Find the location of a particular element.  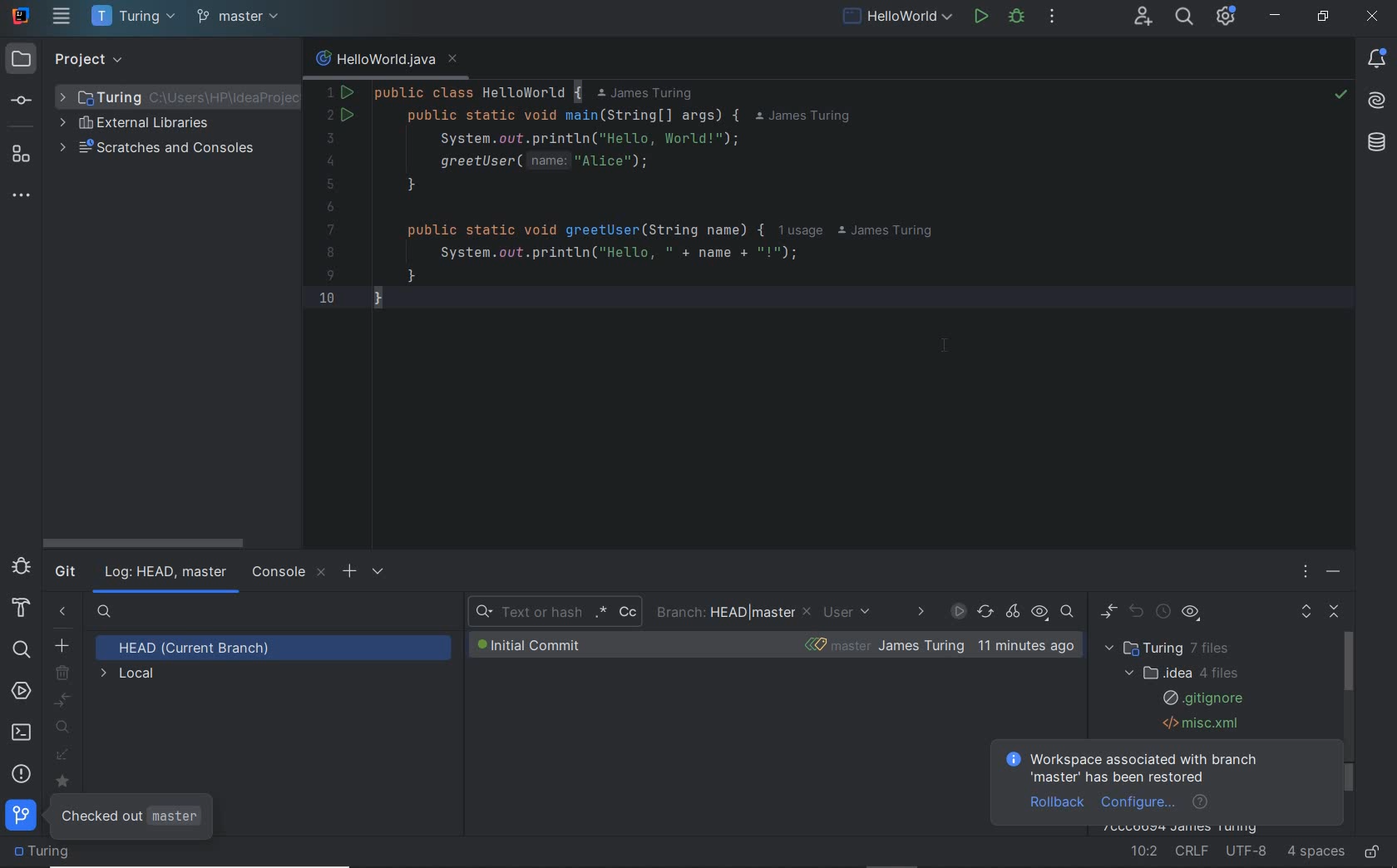

main menu is located at coordinates (63, 16).